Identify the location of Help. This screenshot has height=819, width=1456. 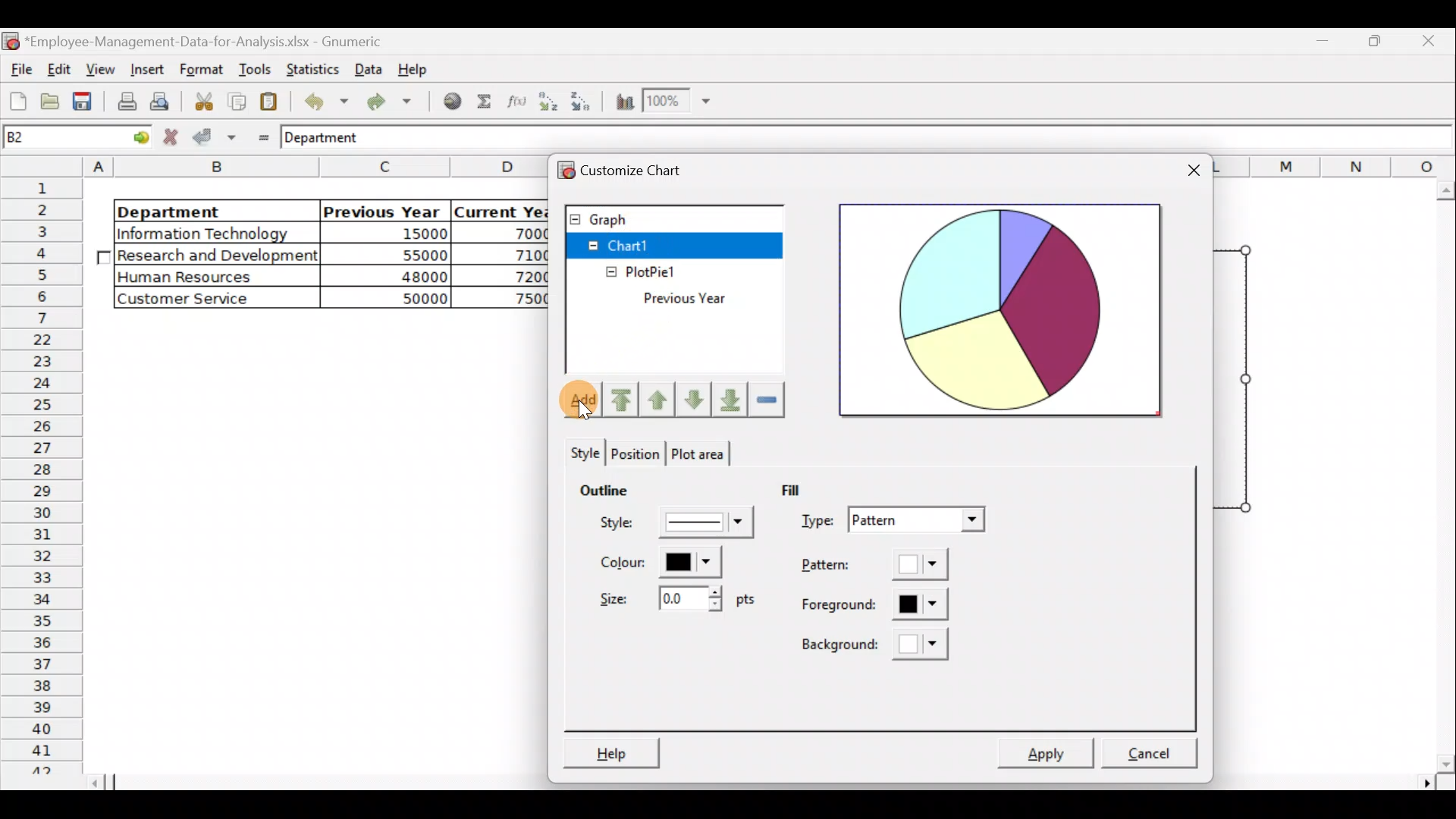
(611, 750).